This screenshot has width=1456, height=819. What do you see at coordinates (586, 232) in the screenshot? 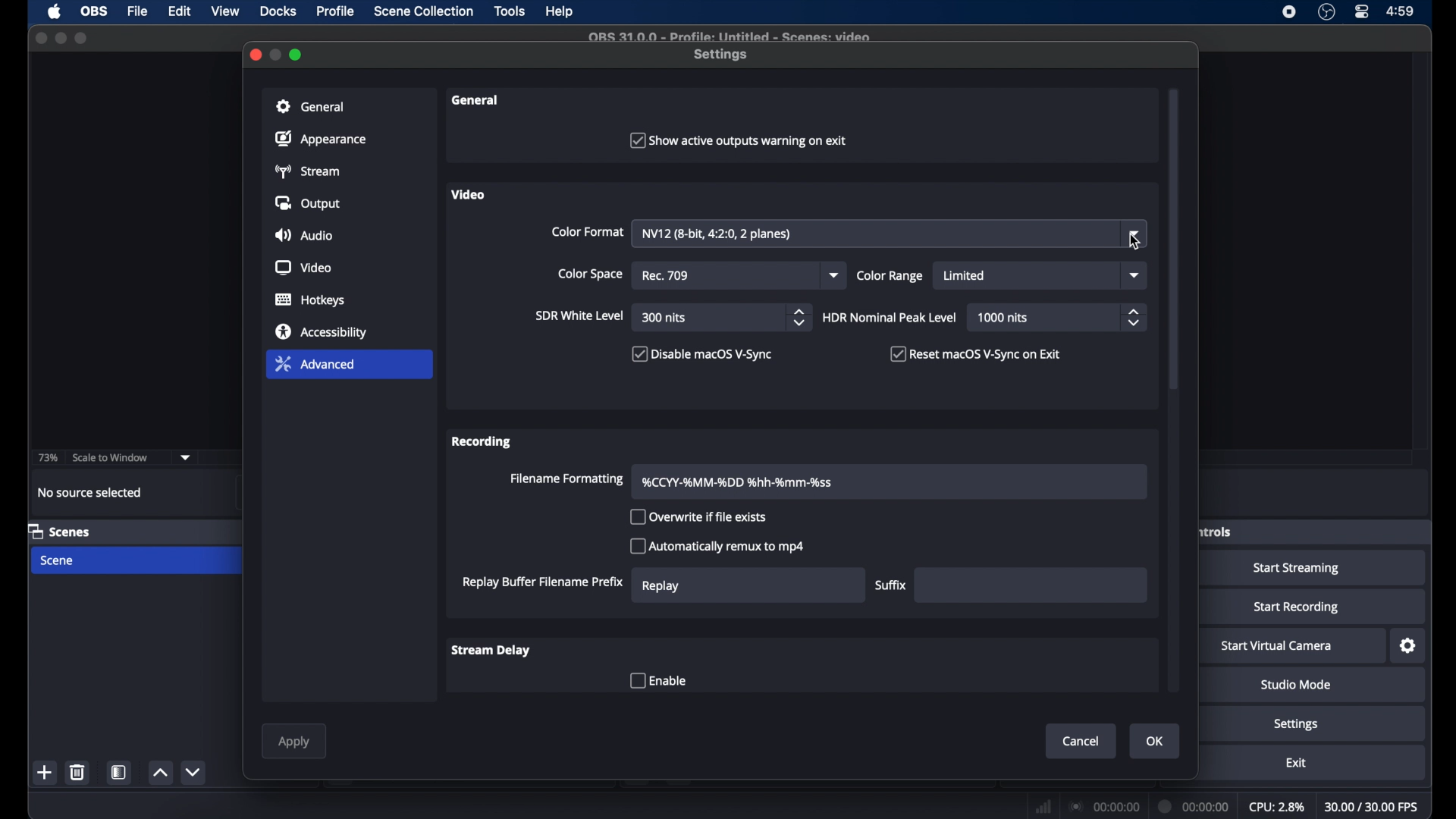
I see `color format` at bounding box center [586, 232].